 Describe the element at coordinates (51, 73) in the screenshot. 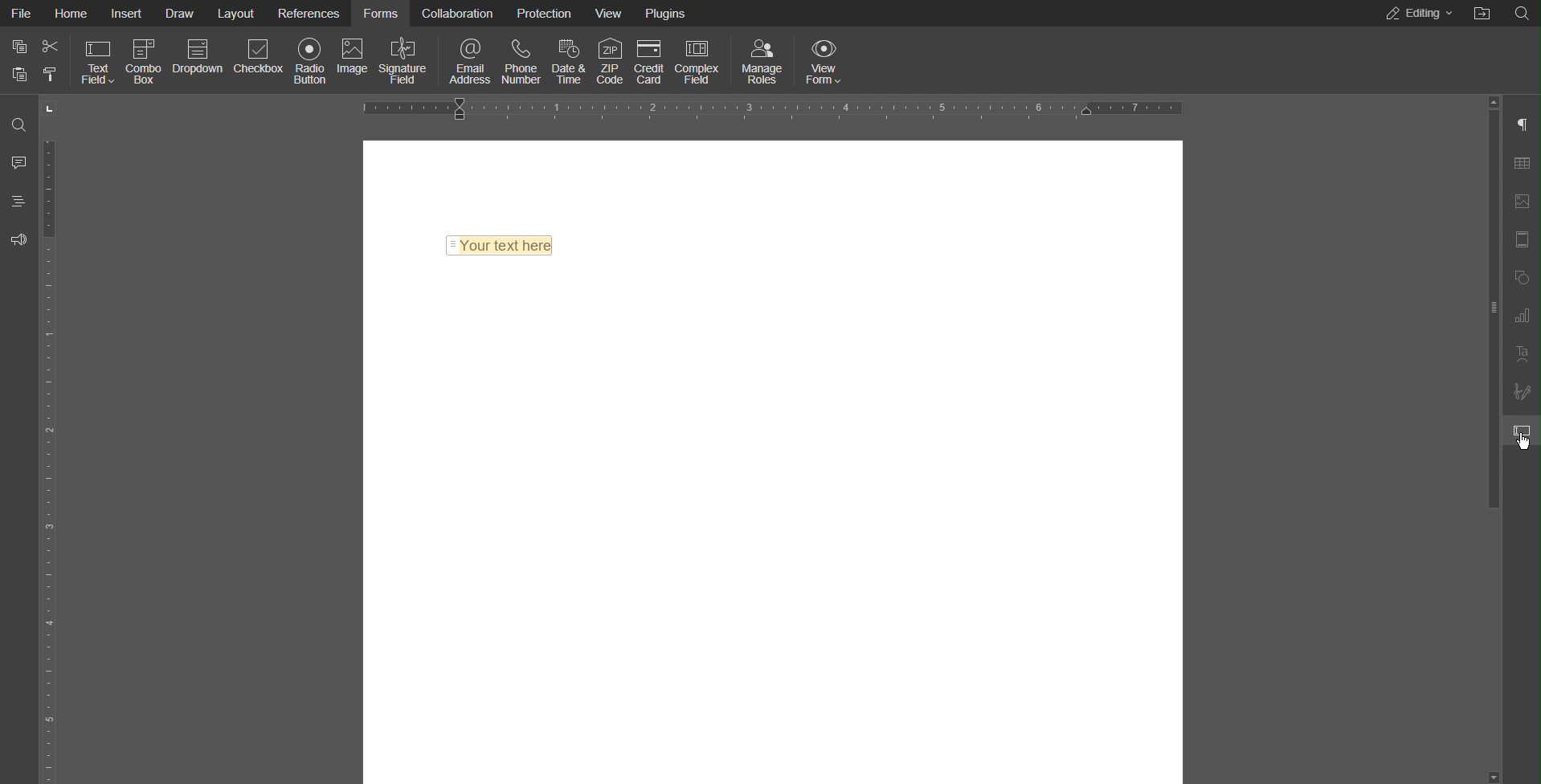

I see `clear formatting` at that location.